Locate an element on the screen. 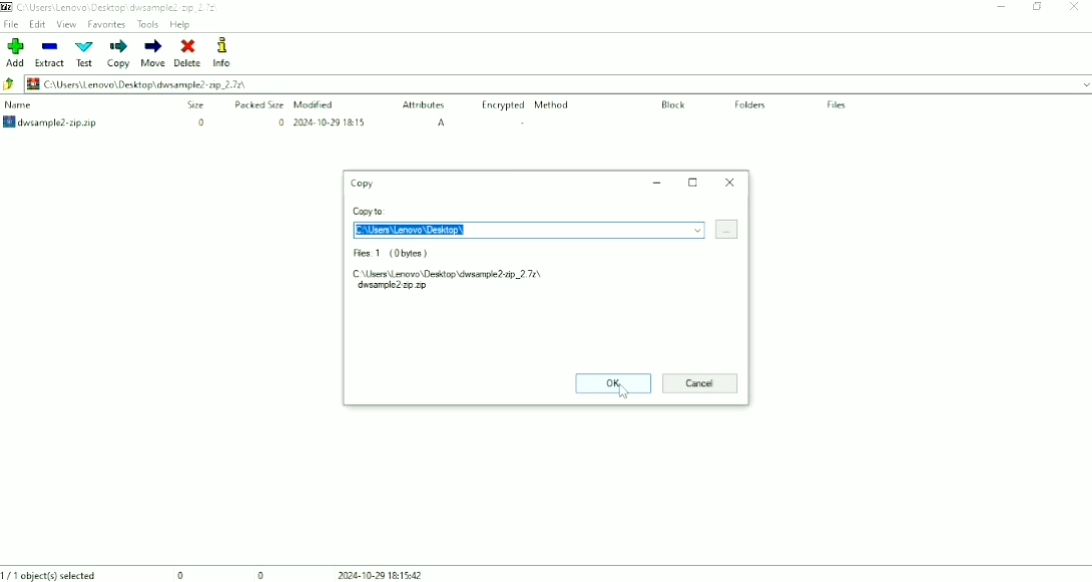 This screenshot has height=582, width=1092. Copy to location is located at coordinates (530, 231).